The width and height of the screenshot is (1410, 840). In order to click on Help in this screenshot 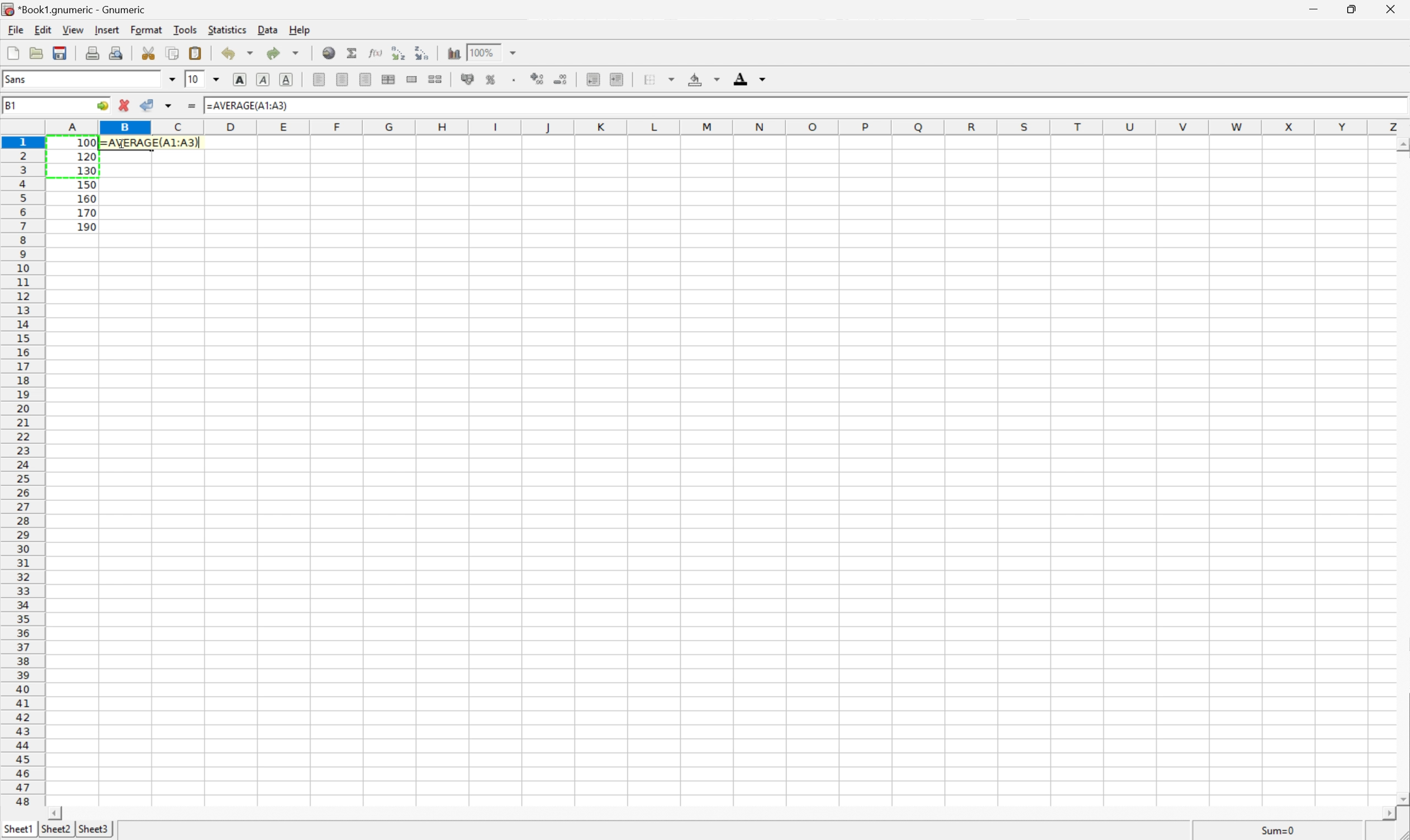, I will do `click(301, 28)`.